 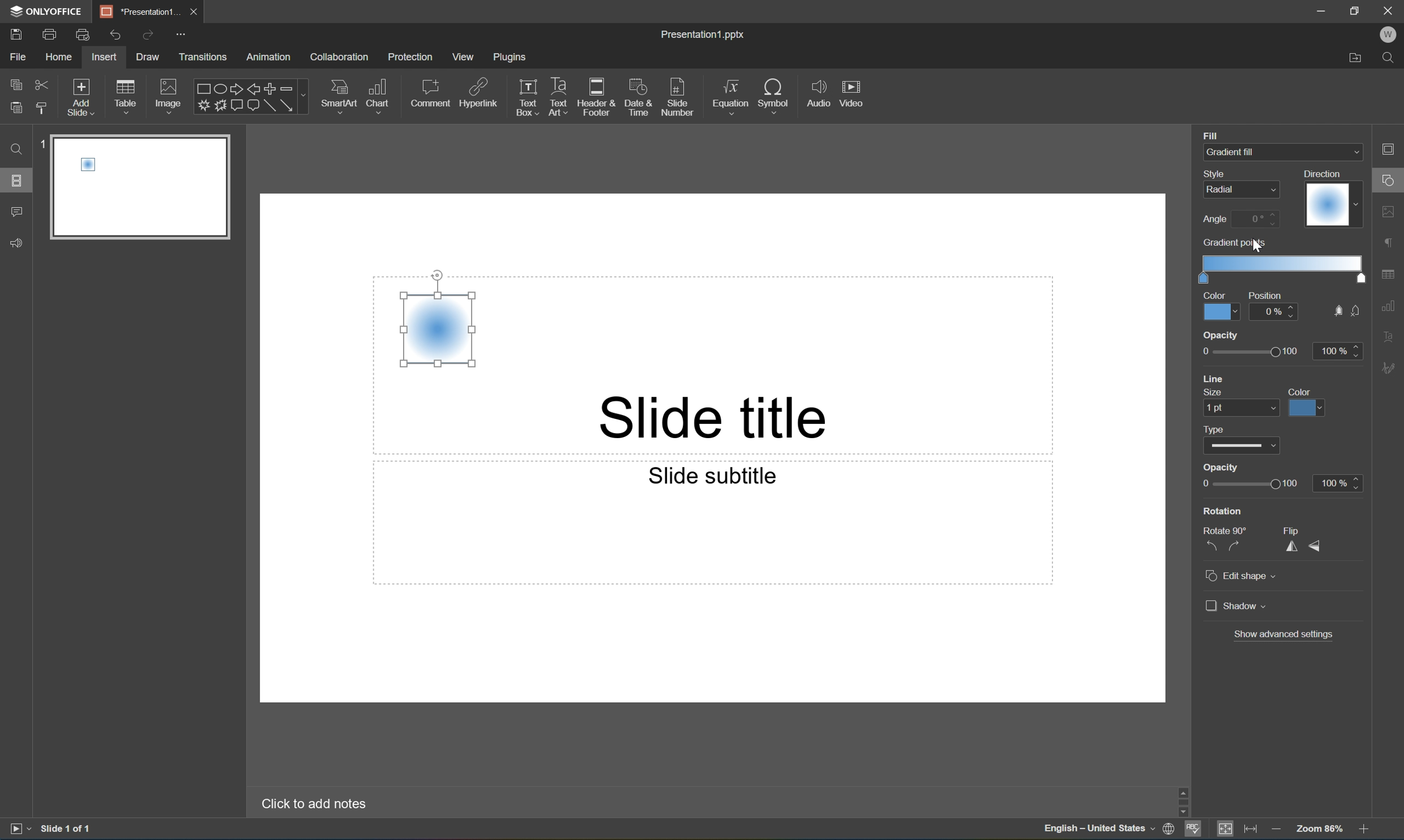 I want to click on 1, so click(x=43, y=144).